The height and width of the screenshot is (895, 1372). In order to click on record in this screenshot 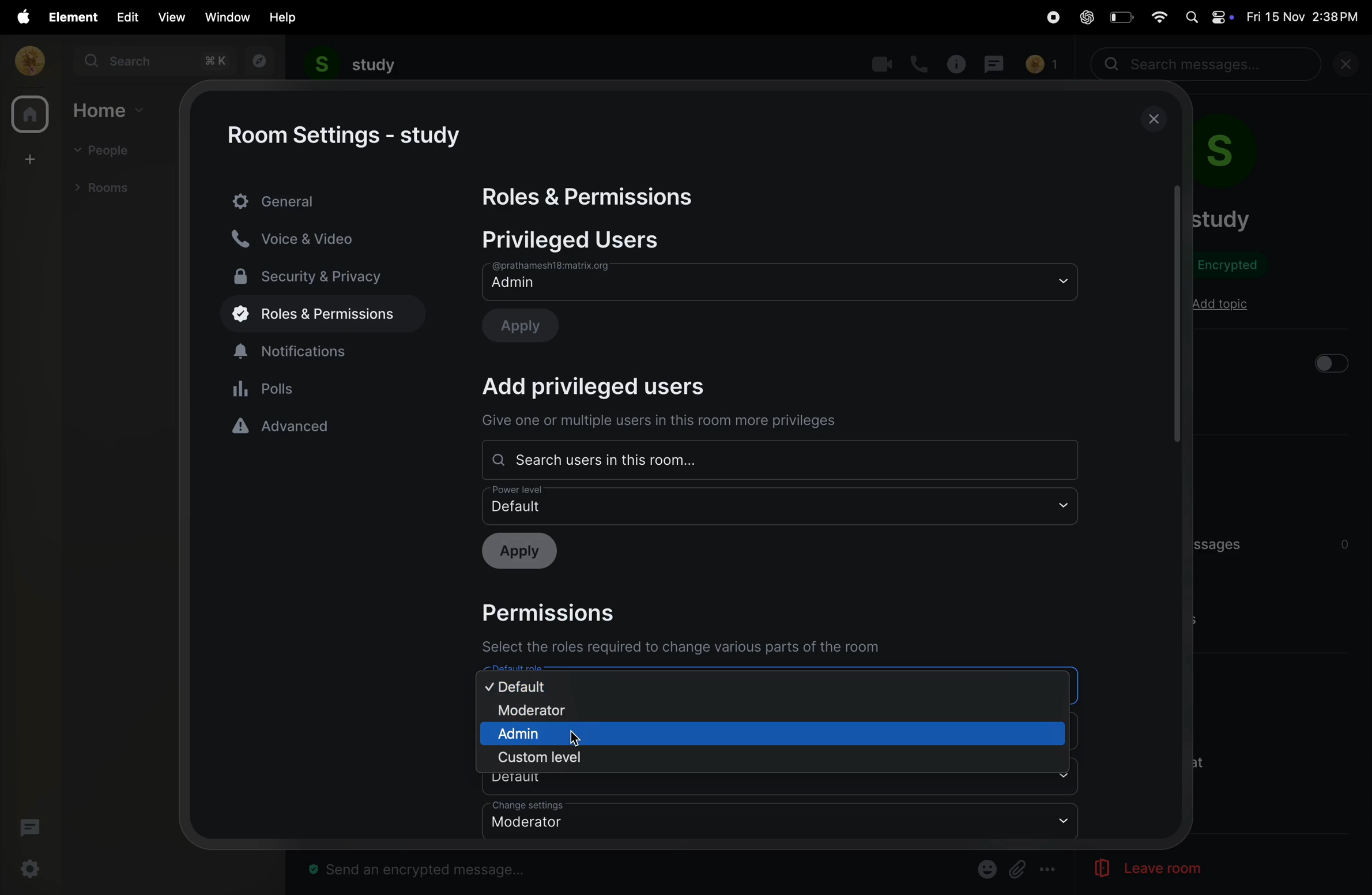, I will do `click(1048, 18)`.